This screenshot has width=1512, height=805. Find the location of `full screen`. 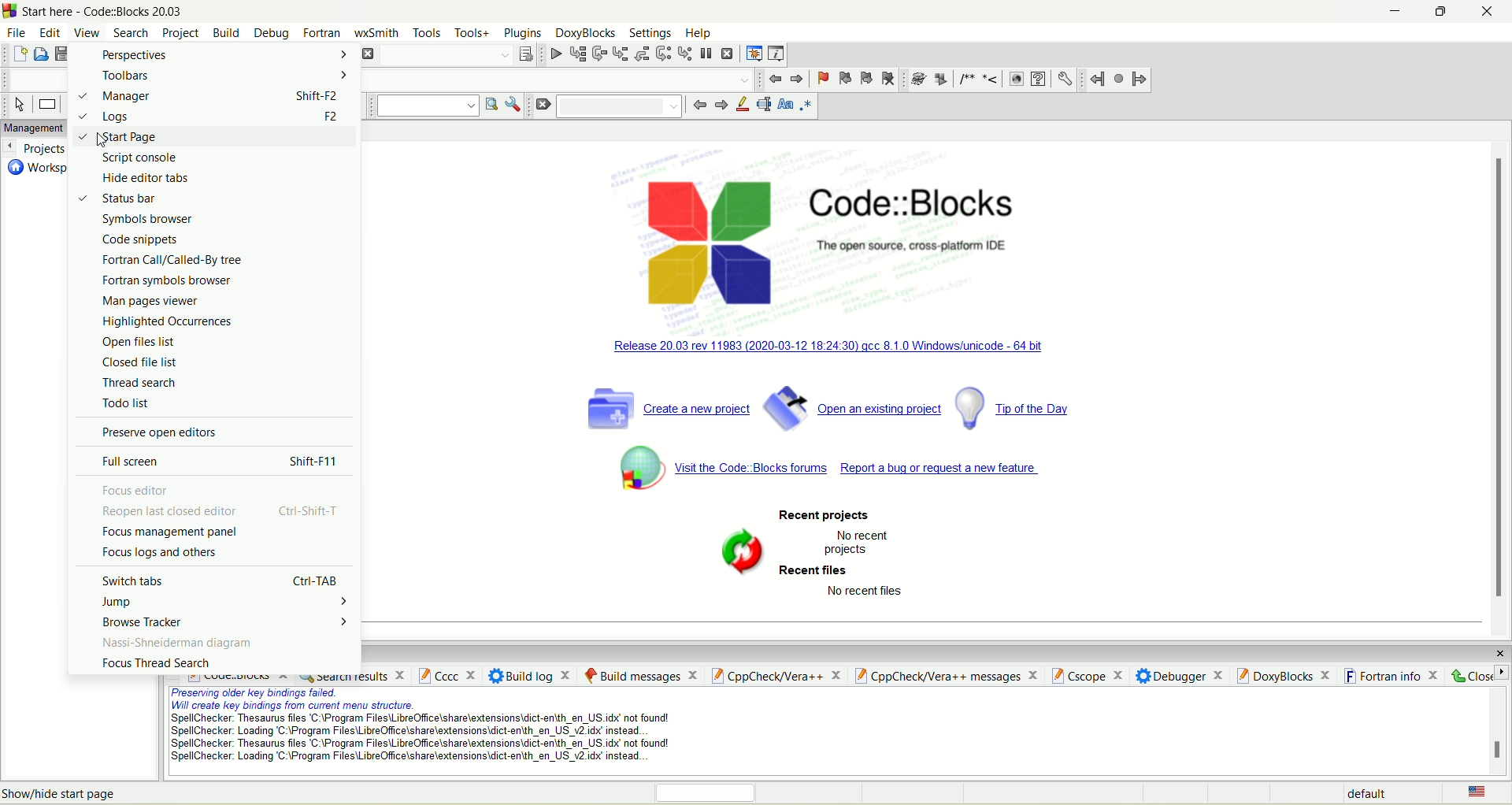

full screen is located at coordinates (223, 462).